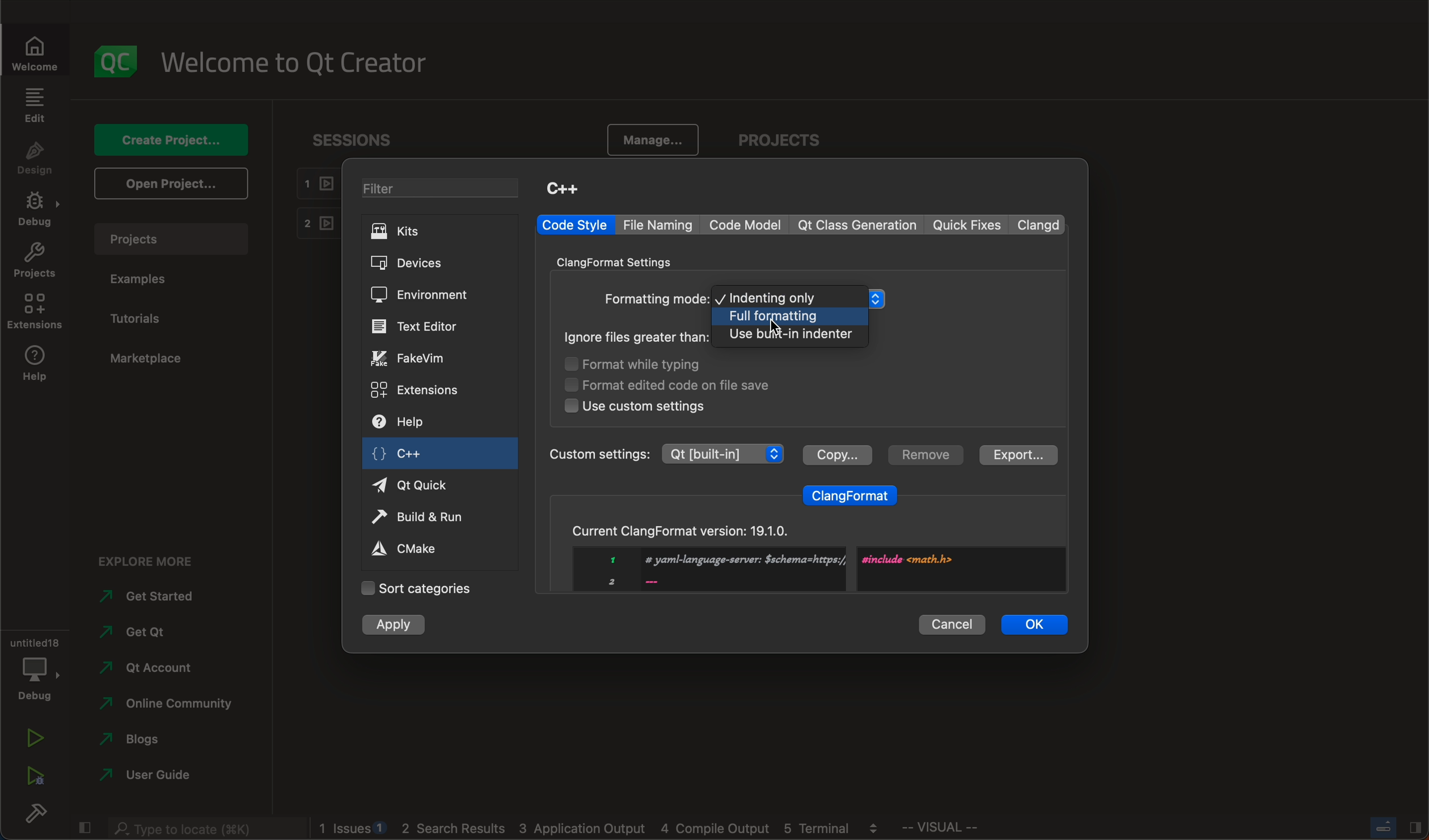 The image size is (1429, 840). What do you see at coordinates (419, 295) in the screenshot?
I see `environment` at bounding box center [419, 295].